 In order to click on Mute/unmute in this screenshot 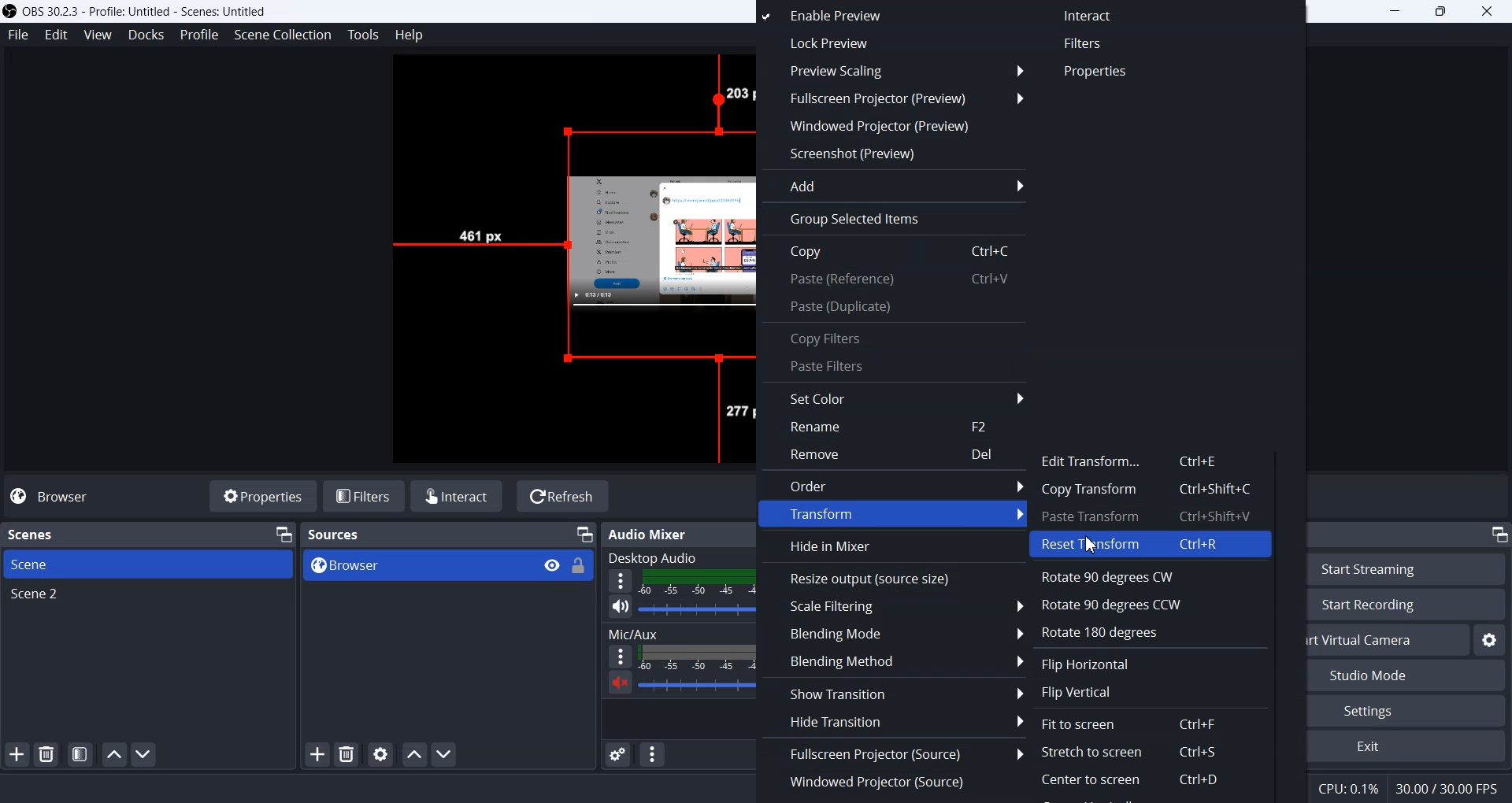, I will do `click(620, 605)`.